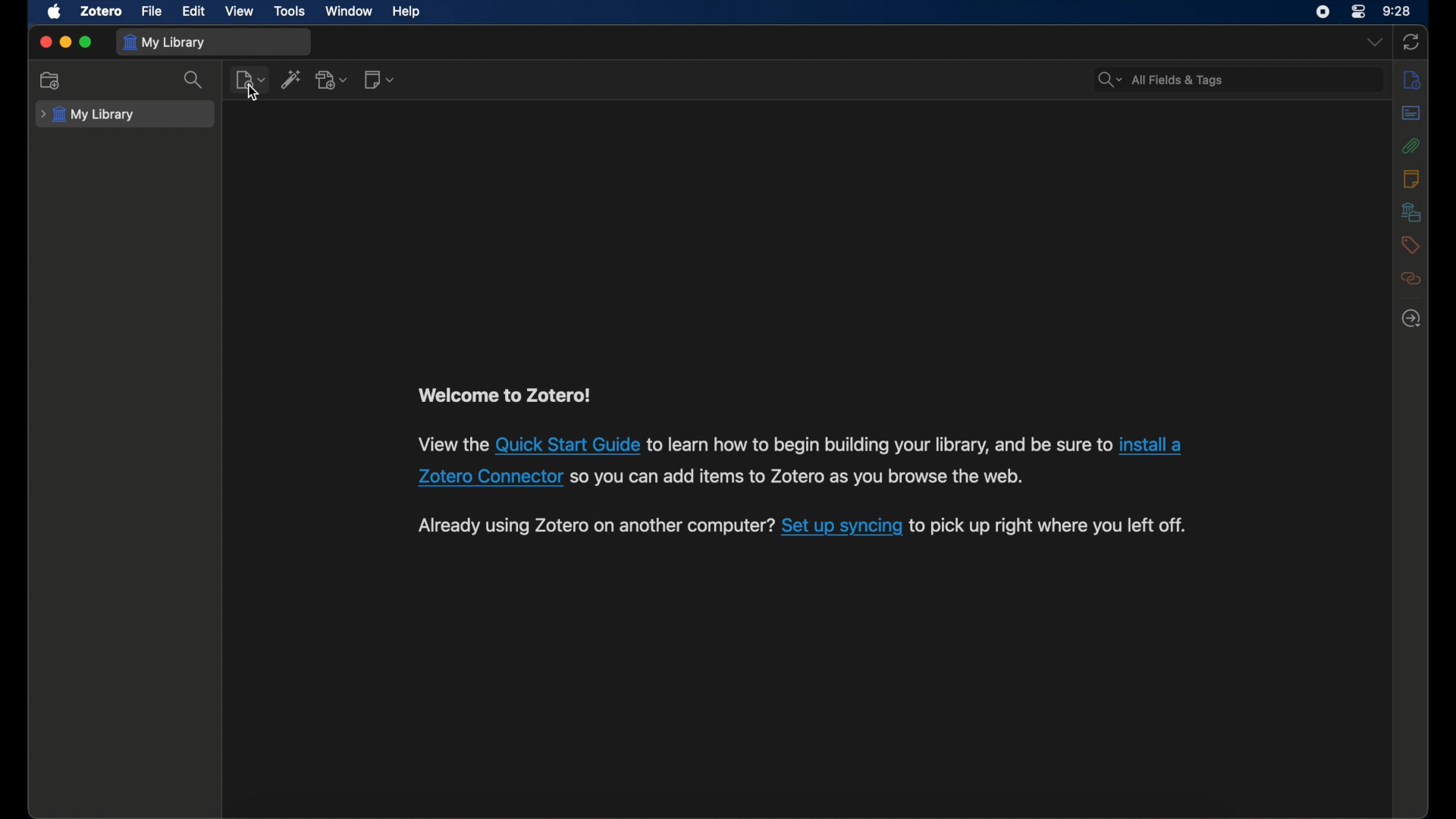  Describe the element at coordinates (1357, 12) in the screenshot. I see `control center` at that location.